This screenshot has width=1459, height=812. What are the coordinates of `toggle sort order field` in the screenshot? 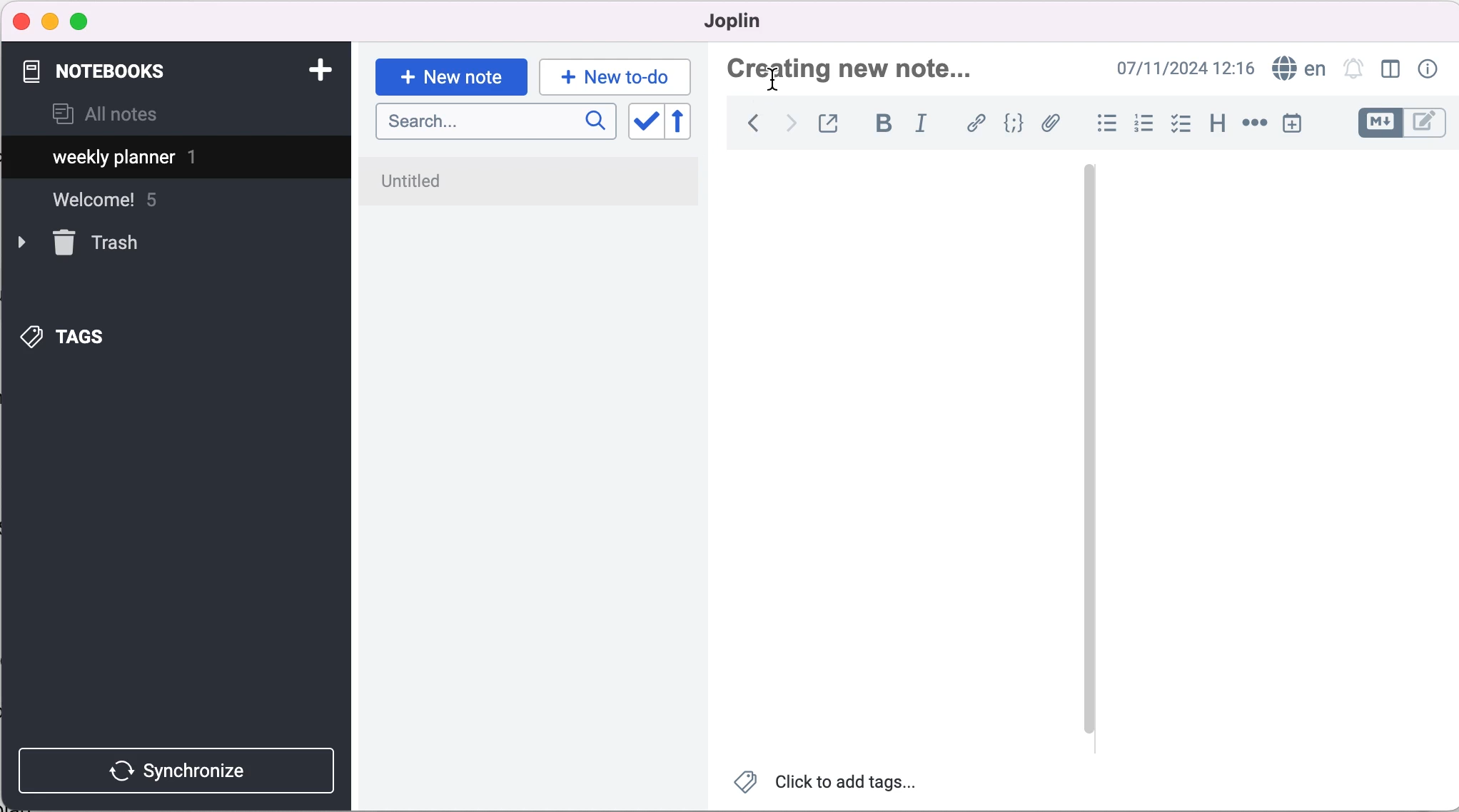 It's located at (644, 126).